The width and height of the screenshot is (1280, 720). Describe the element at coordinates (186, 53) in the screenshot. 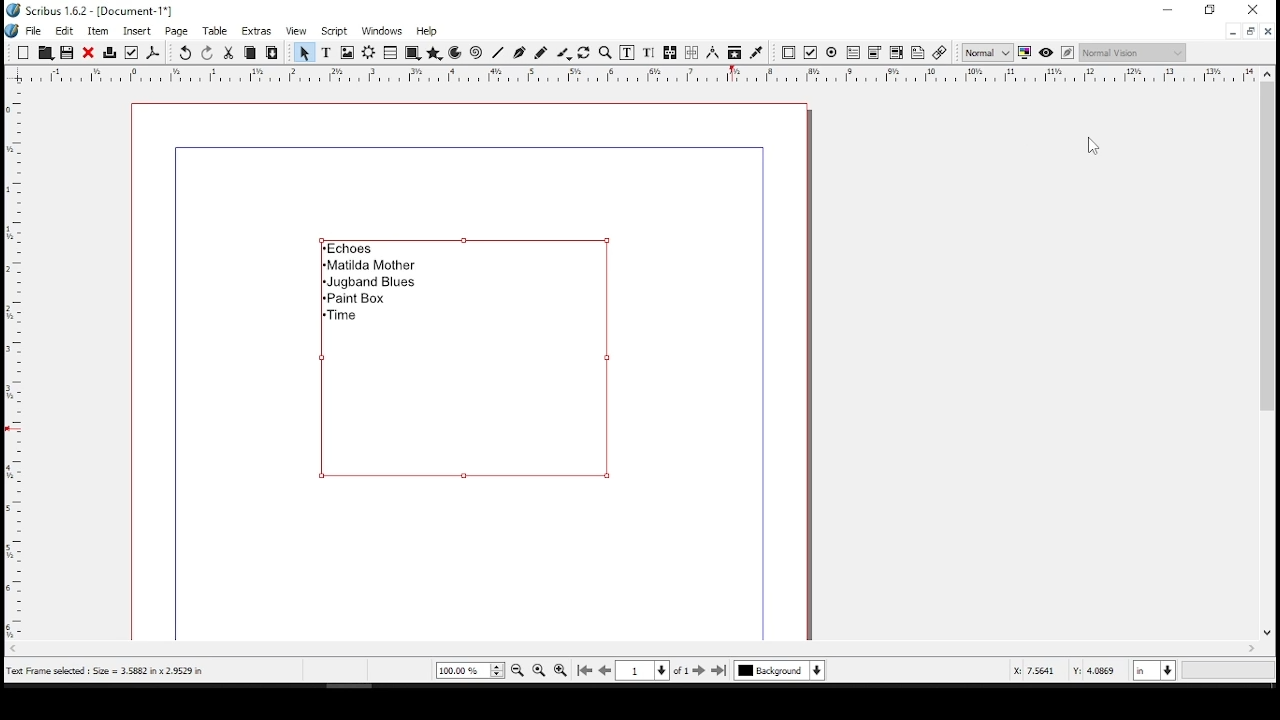

I see `undo` at that location.